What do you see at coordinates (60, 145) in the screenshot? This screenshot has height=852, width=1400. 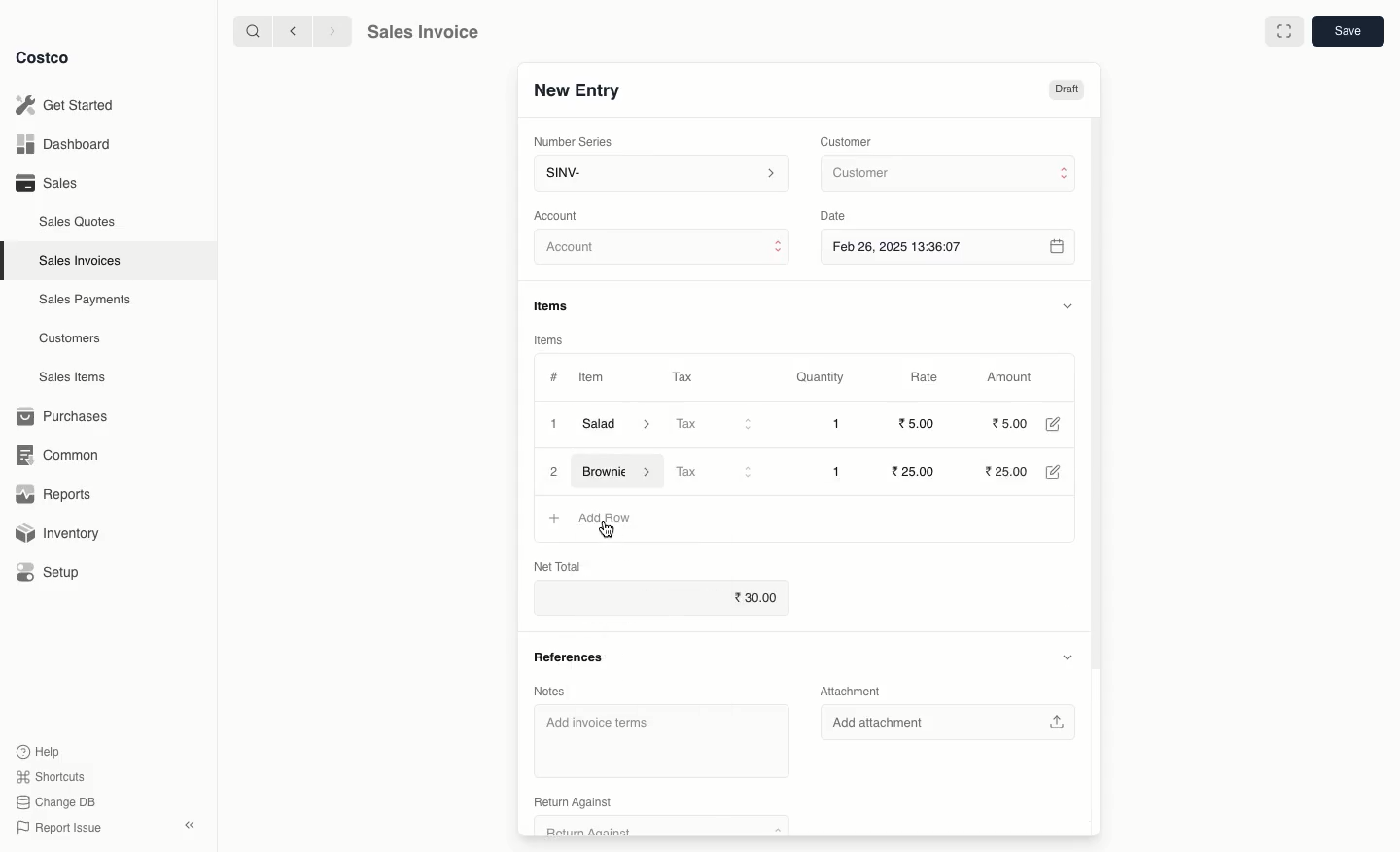 I see `Dashboard` at bounding box center [60, 145].